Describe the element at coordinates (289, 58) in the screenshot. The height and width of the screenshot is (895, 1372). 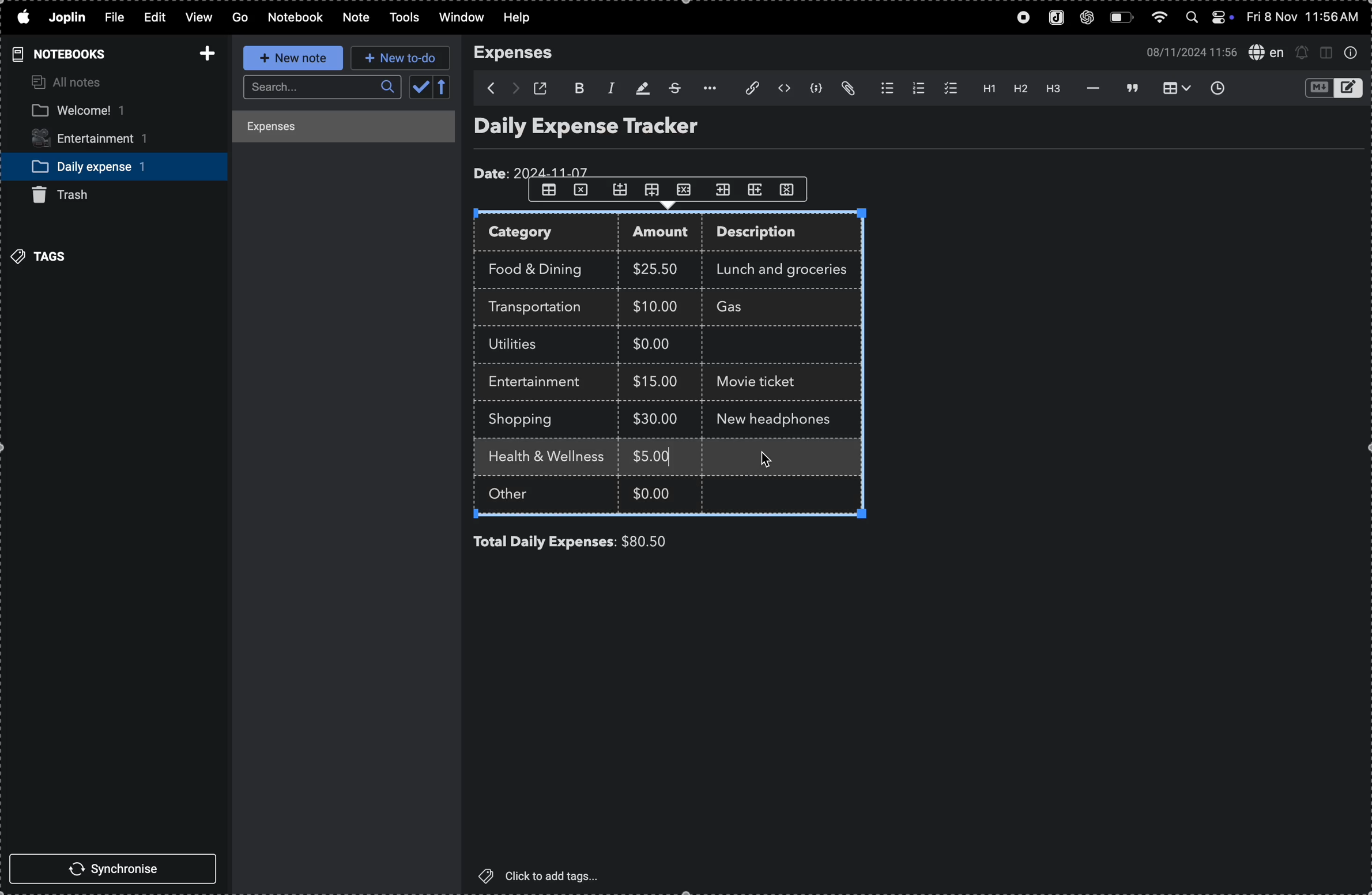
I see `new note` at that location.